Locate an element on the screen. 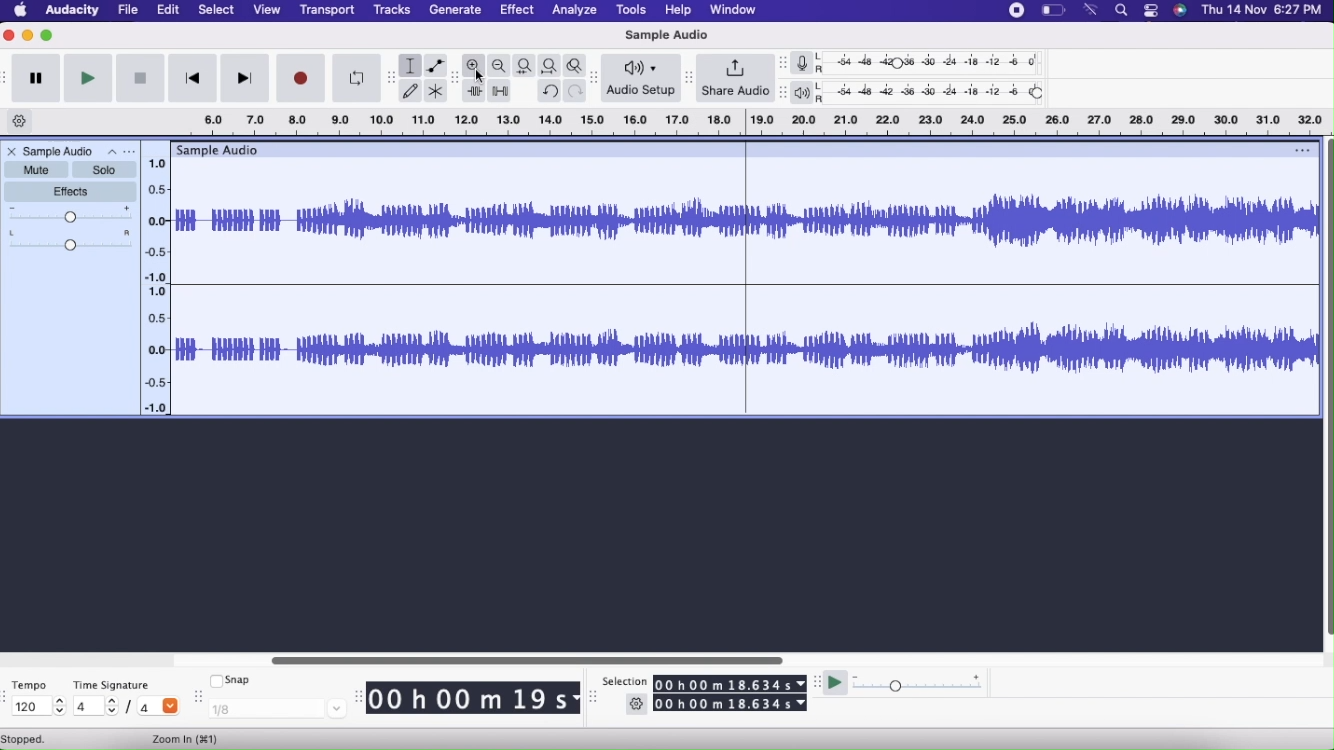 This screenshot has width=1334, height=750. Record meter is located at coordinates (810, 63).